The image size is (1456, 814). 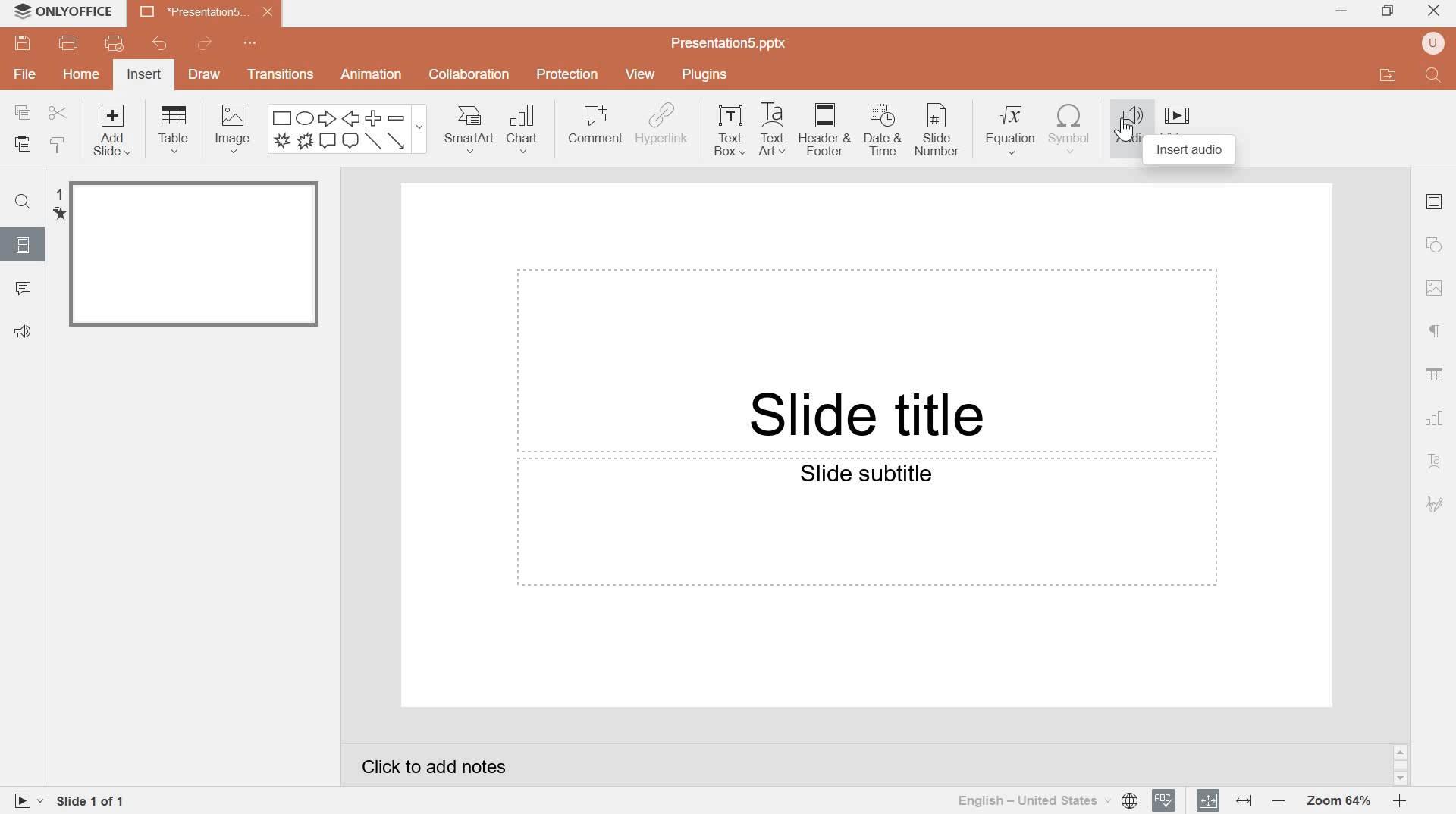 What do you see at coordinates (116, 132) in the screenshot?
I see `Add slide` at bounding box center [116, 132].